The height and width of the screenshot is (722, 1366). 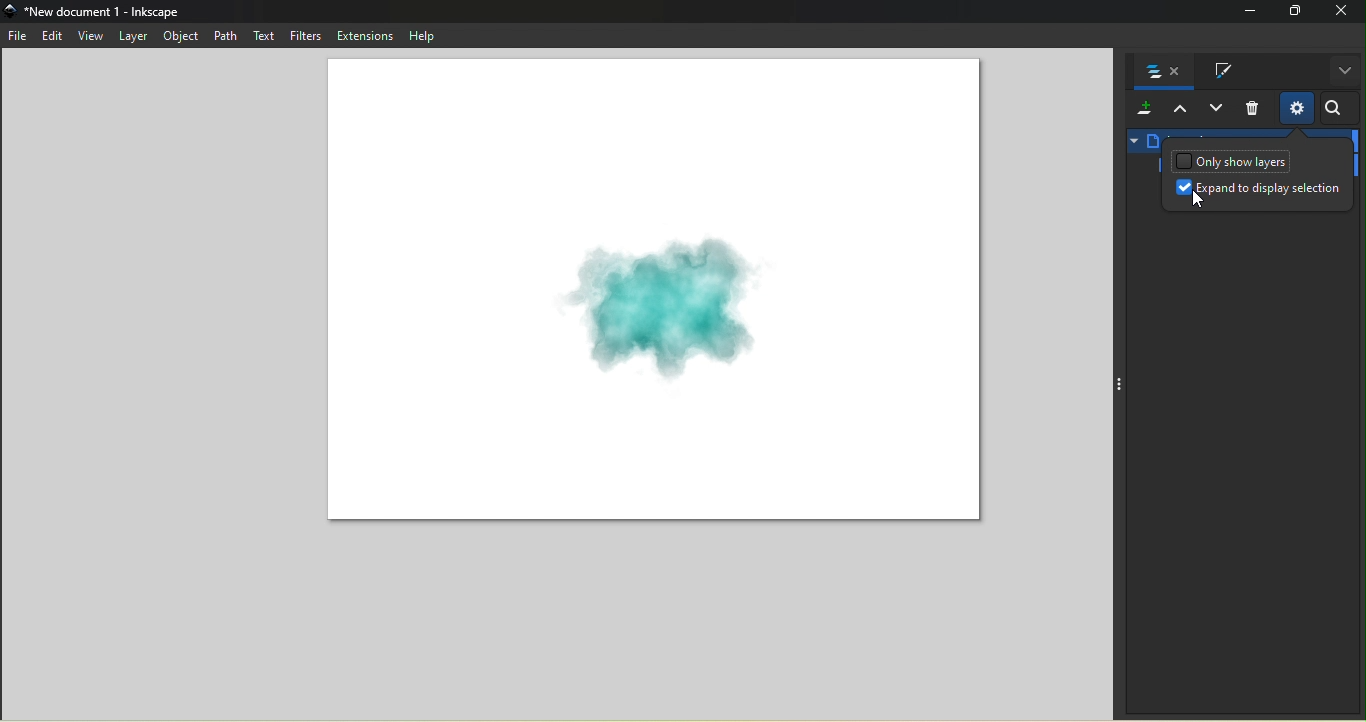 What do you see at coordinates (180, 36) in the screenshot?
I see `Object` at bounding box center [180, 36].